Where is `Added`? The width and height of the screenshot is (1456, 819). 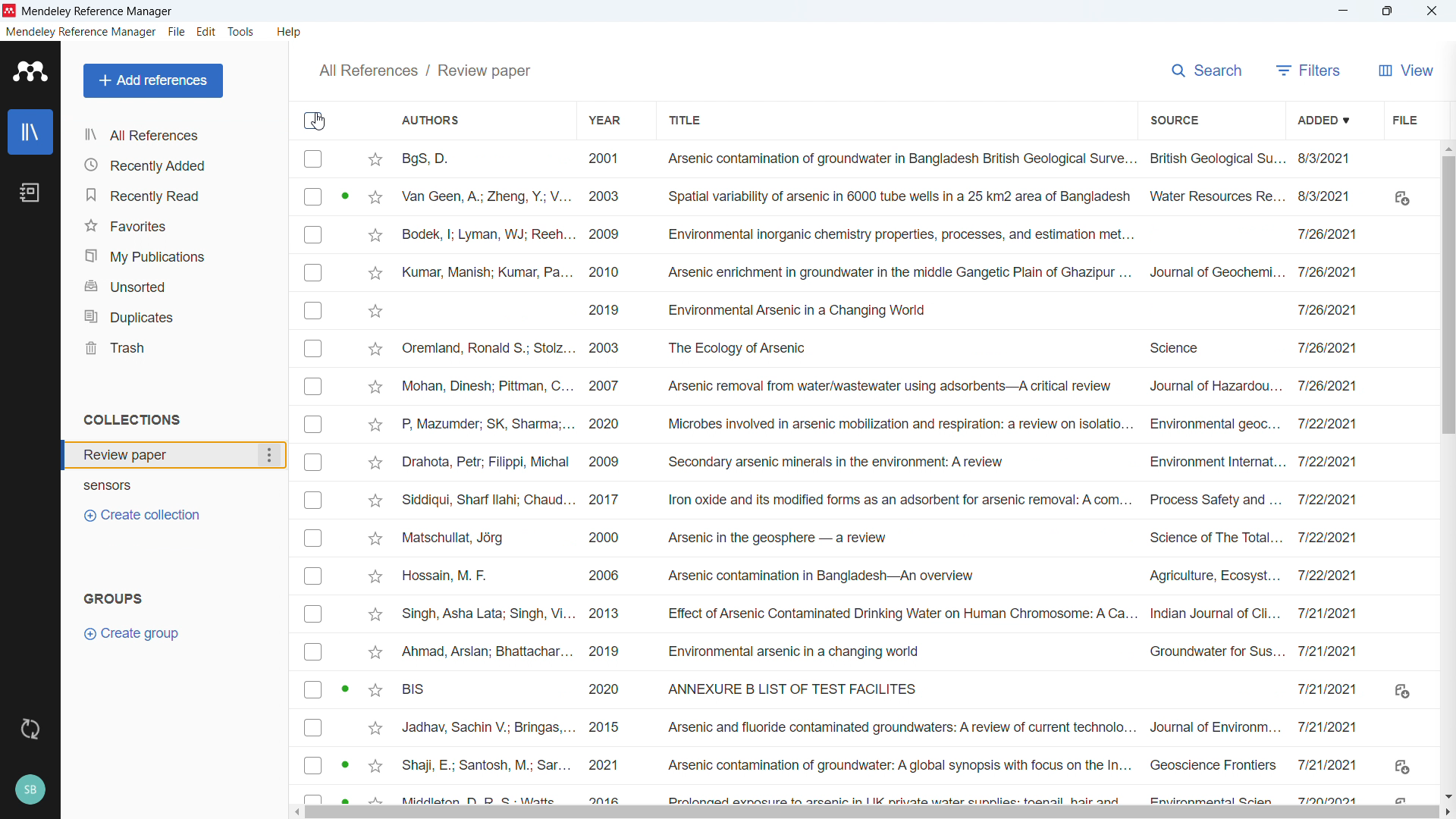 Added is located at coordinates (1326, 118).